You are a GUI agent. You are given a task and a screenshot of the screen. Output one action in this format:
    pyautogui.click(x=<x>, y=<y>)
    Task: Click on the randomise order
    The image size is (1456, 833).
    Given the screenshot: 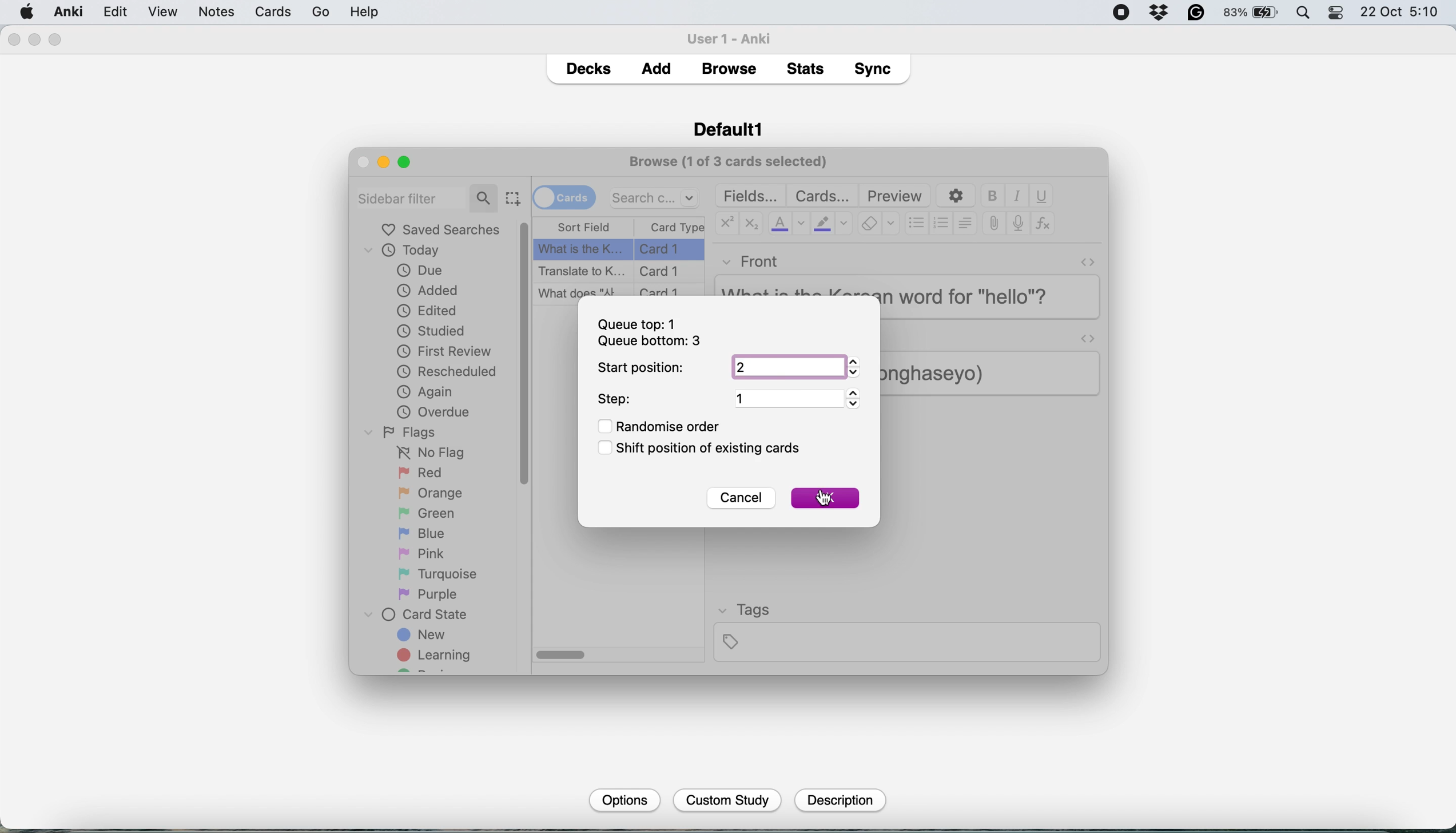 What is the action you would take?
    pyautogui.click(x=665, y=426)
    